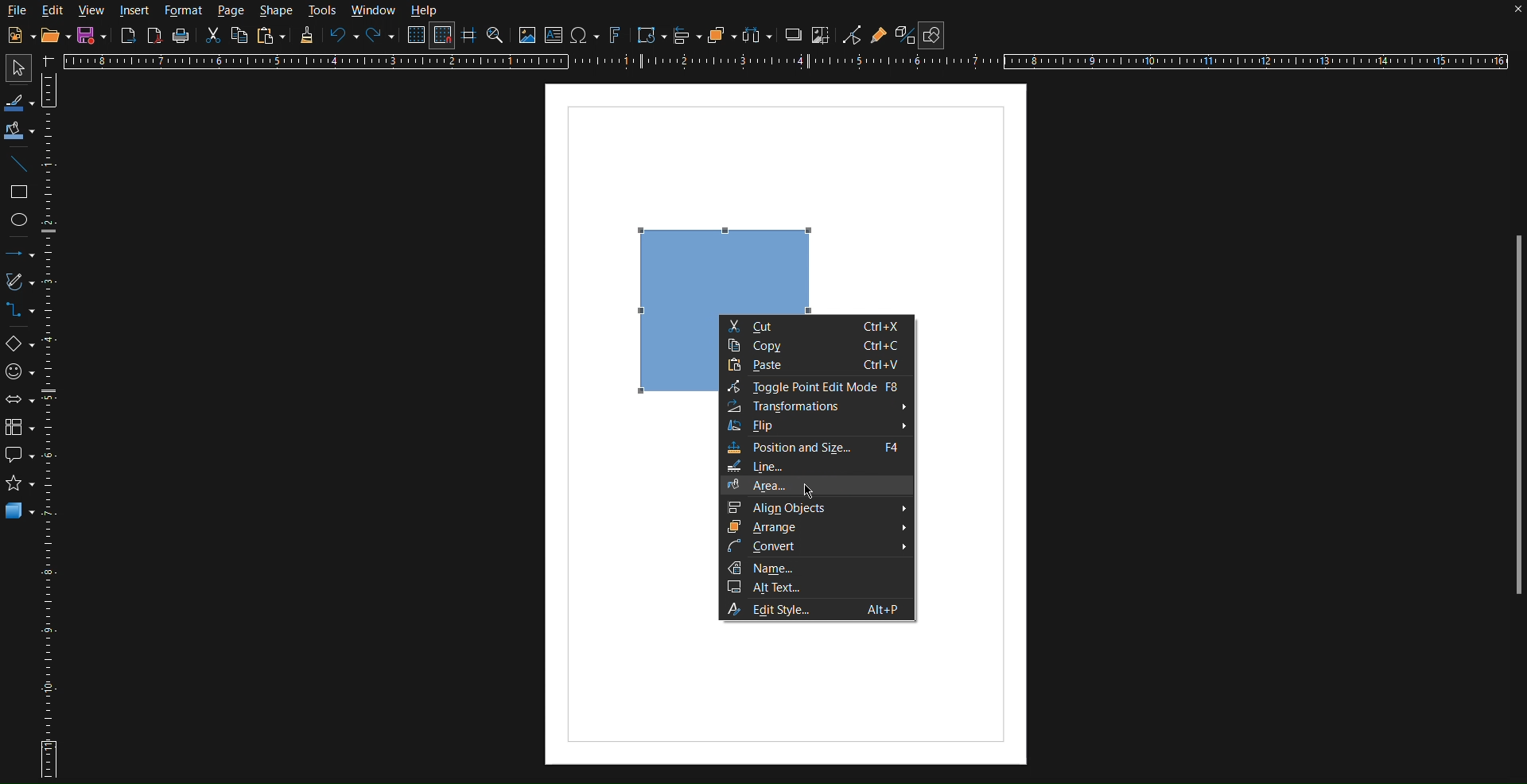  What do you see at coordinates (817, 610) in the screenshot?
I see `Edit Style` at bounding box center [817, 610].